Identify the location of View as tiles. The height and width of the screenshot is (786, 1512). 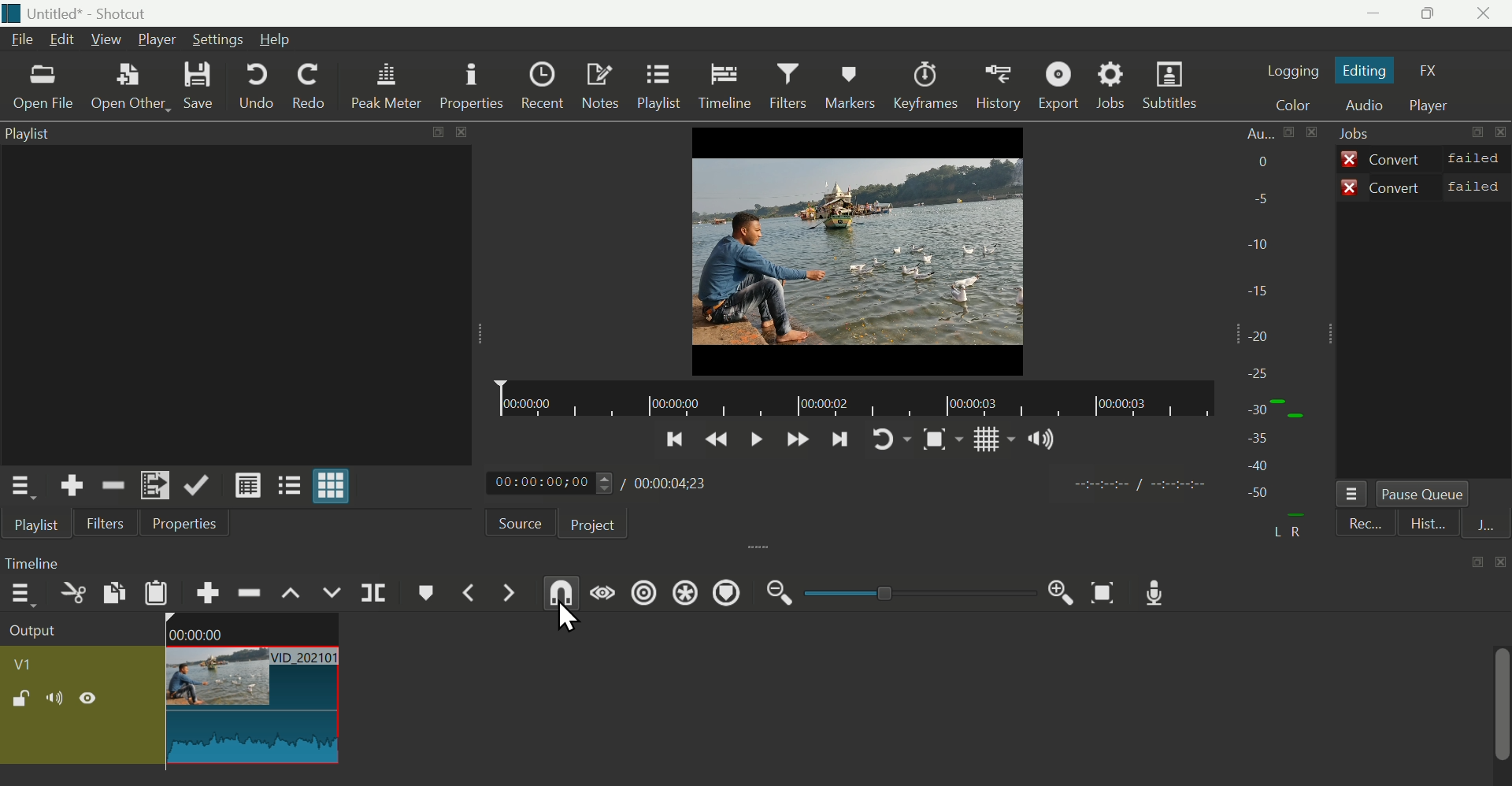
(291, 484).